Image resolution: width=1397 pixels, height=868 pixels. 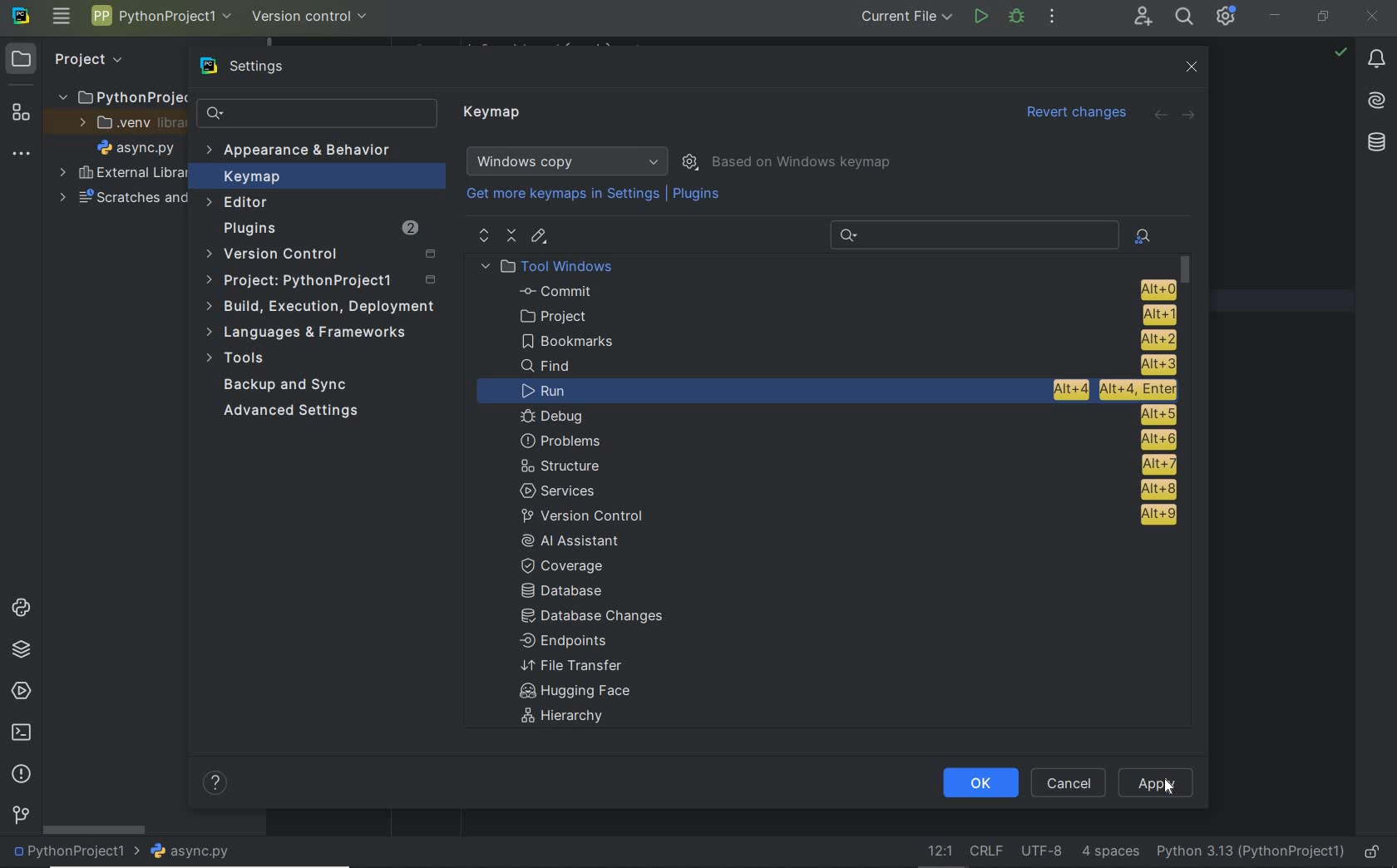 I want to click on Code With Me, so click(x=1143, y=17).